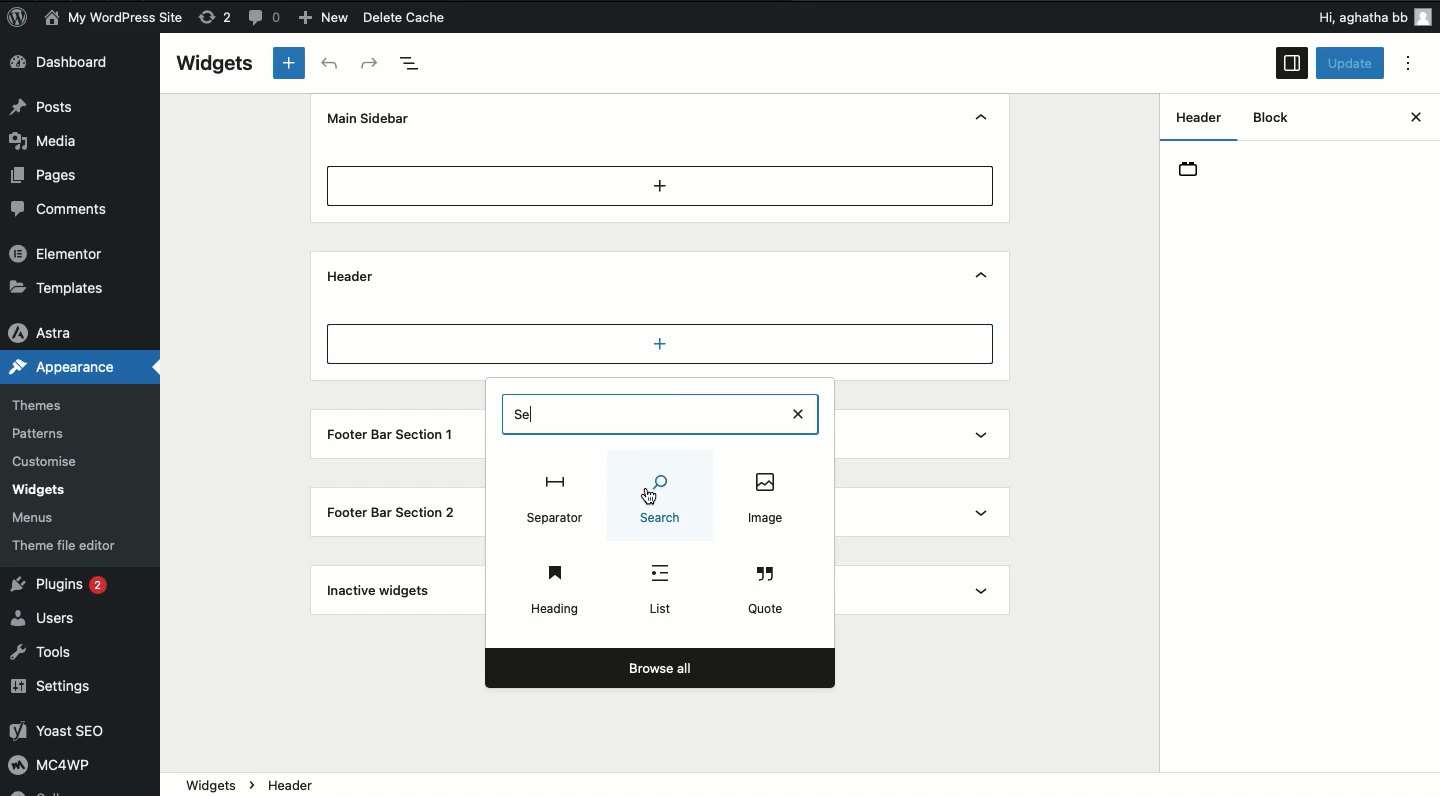 The width and height of the screenshot is (1440, 796). What do you see at coordinates (653, 503) in the screenshot?
I see `cursor` at bounding box center [653, 503].